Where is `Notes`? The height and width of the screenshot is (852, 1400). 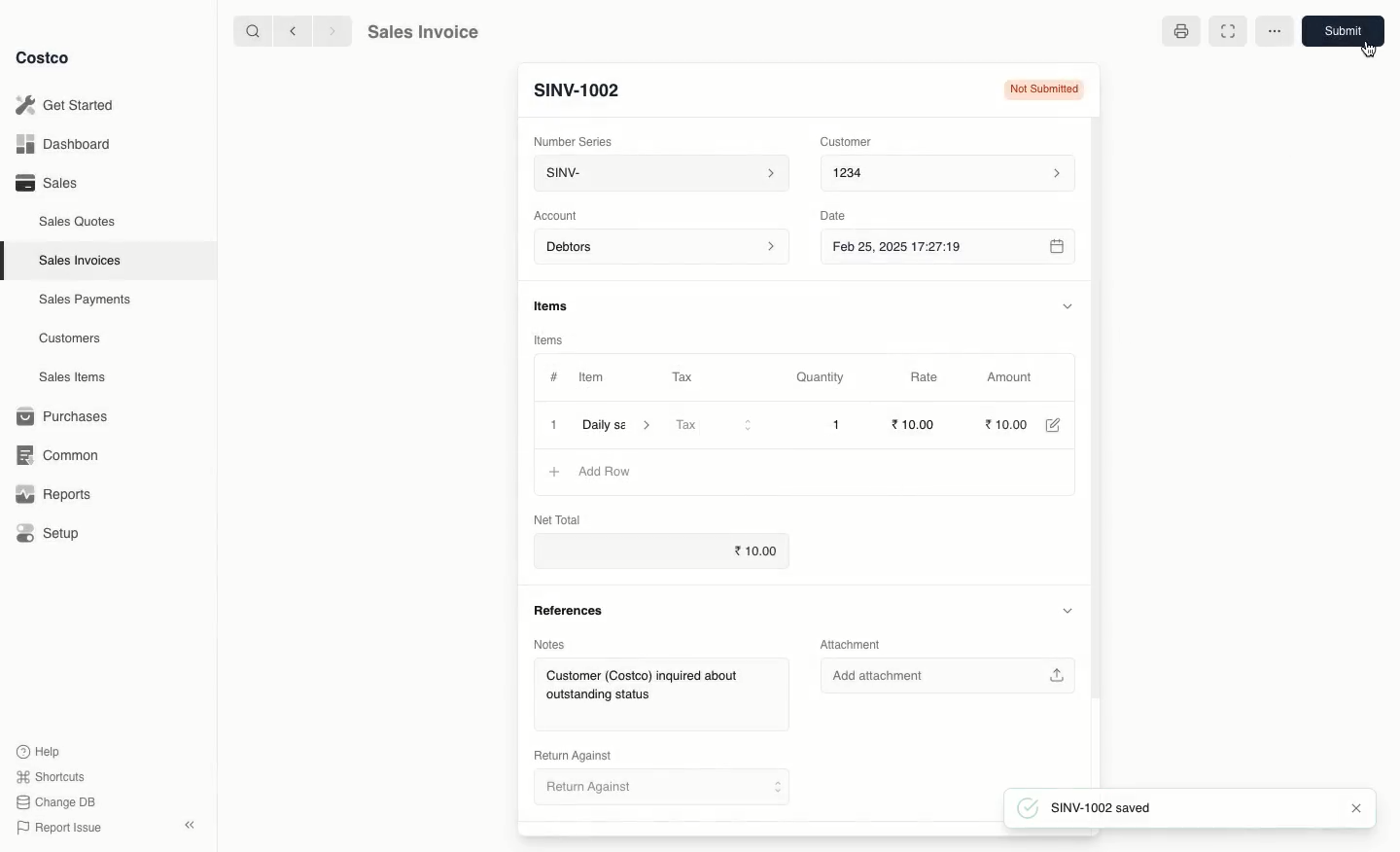 Notes is located at coordinates (550, 644).